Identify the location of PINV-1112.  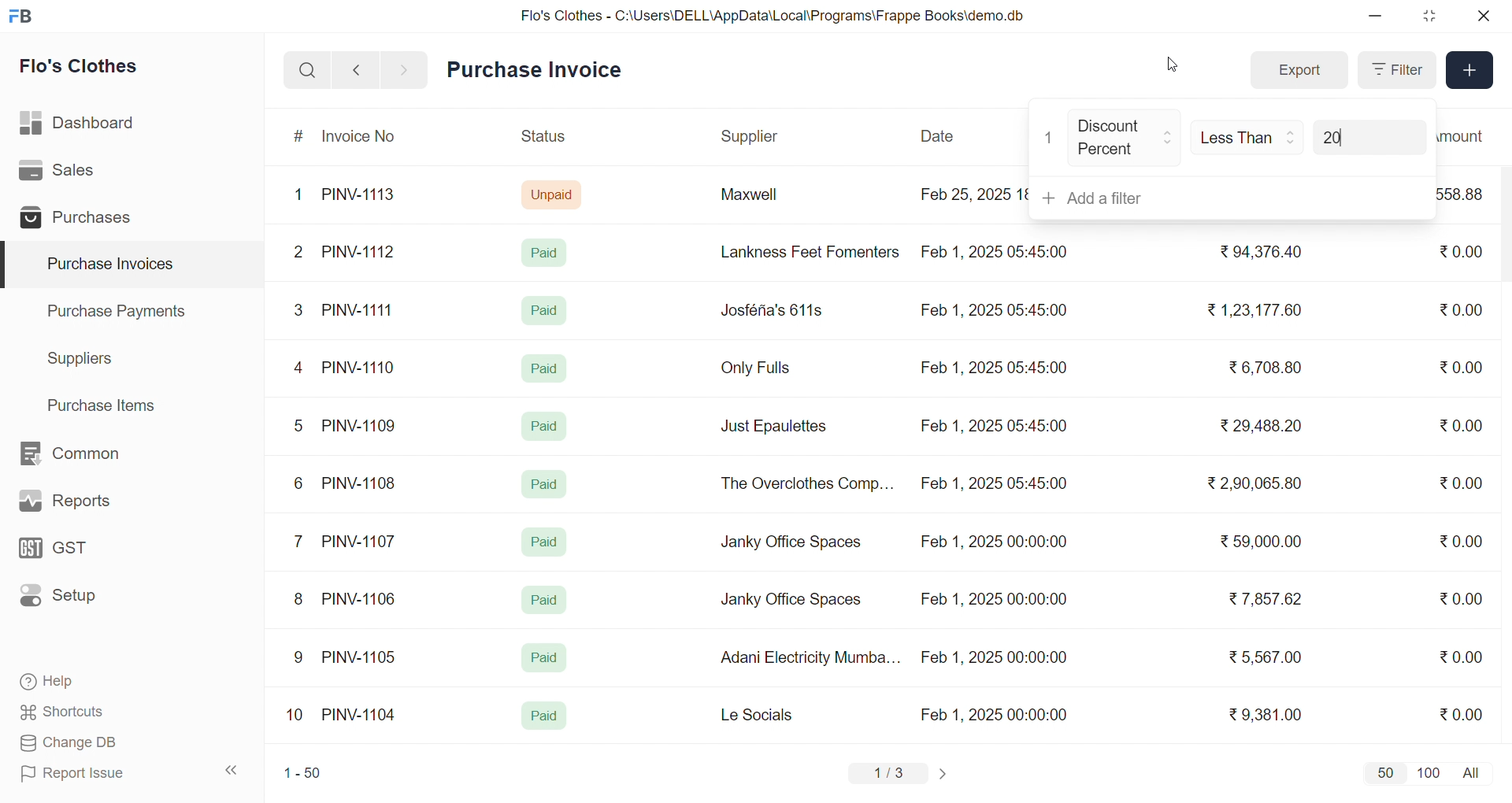
(358, 253).